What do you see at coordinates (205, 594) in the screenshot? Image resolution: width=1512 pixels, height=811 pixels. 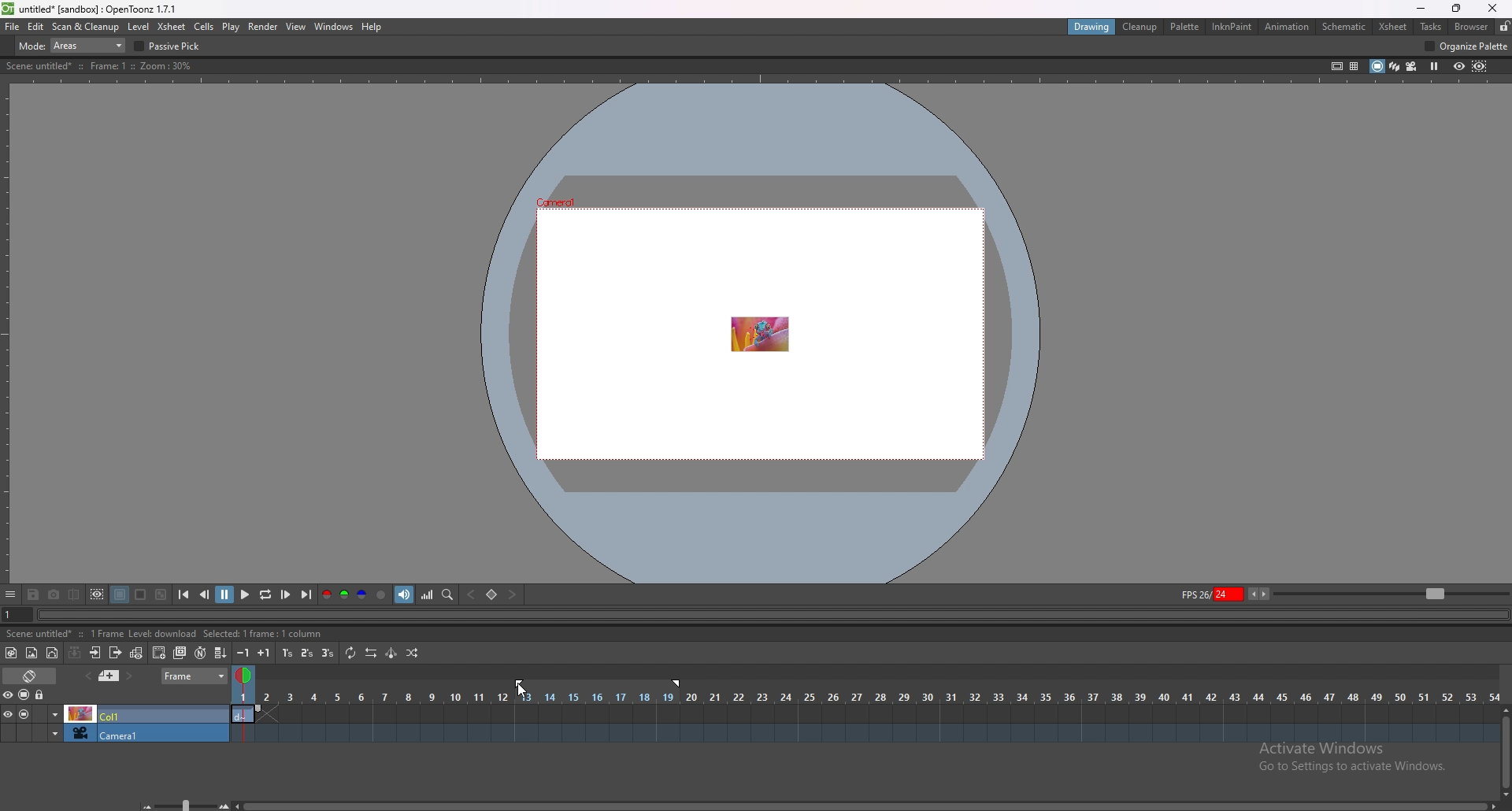 I see `previous` at bounding box center [205, 594].